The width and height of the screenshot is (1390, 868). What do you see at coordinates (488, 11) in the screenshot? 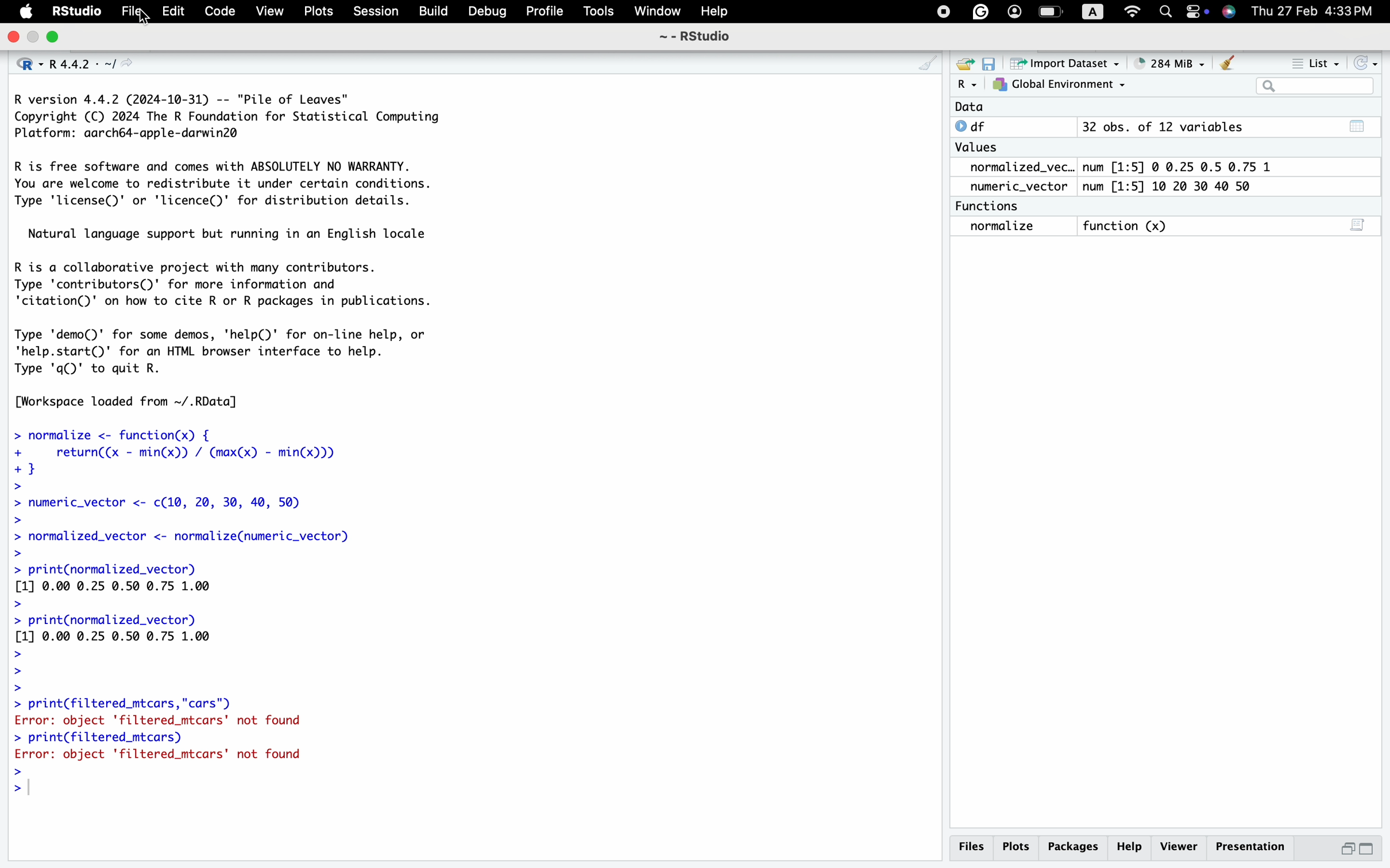
I see `Debug` at bounding box center [488, 11].